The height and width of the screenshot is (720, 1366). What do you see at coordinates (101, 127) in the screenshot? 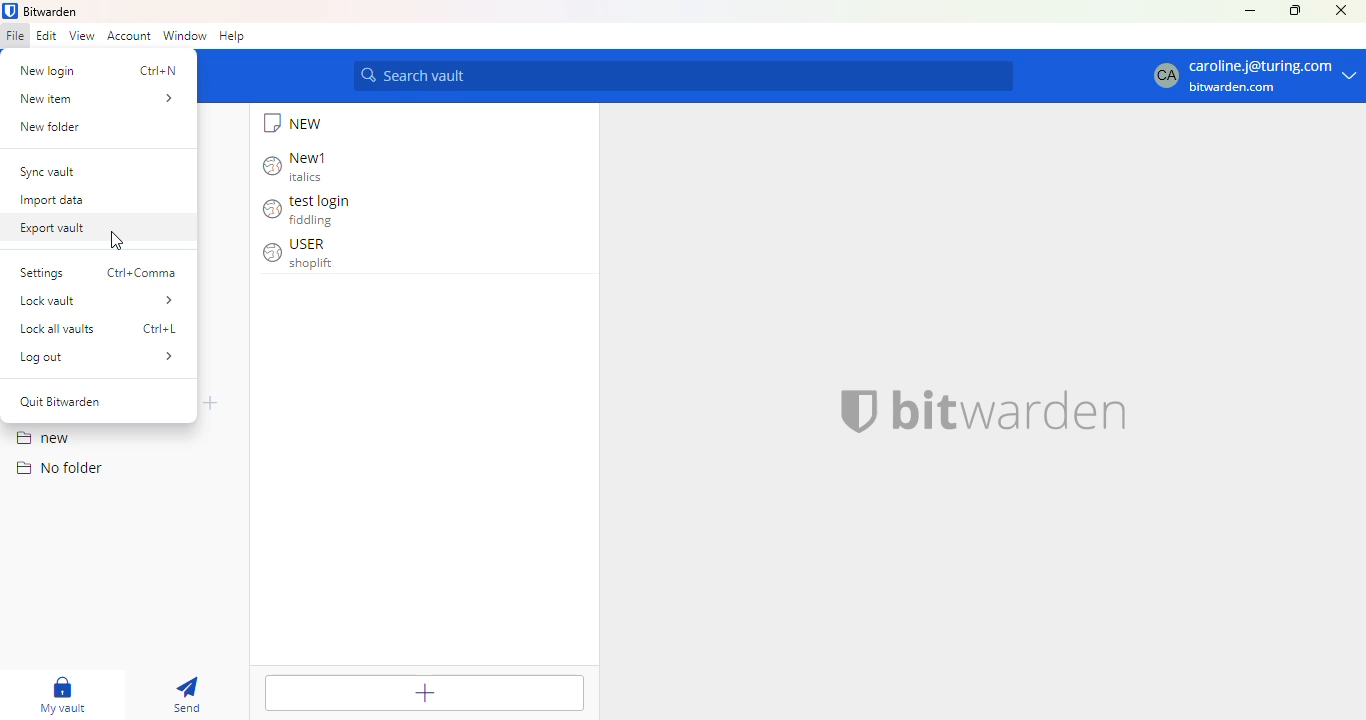
I see `new folder` at bounding box center [101, 127].